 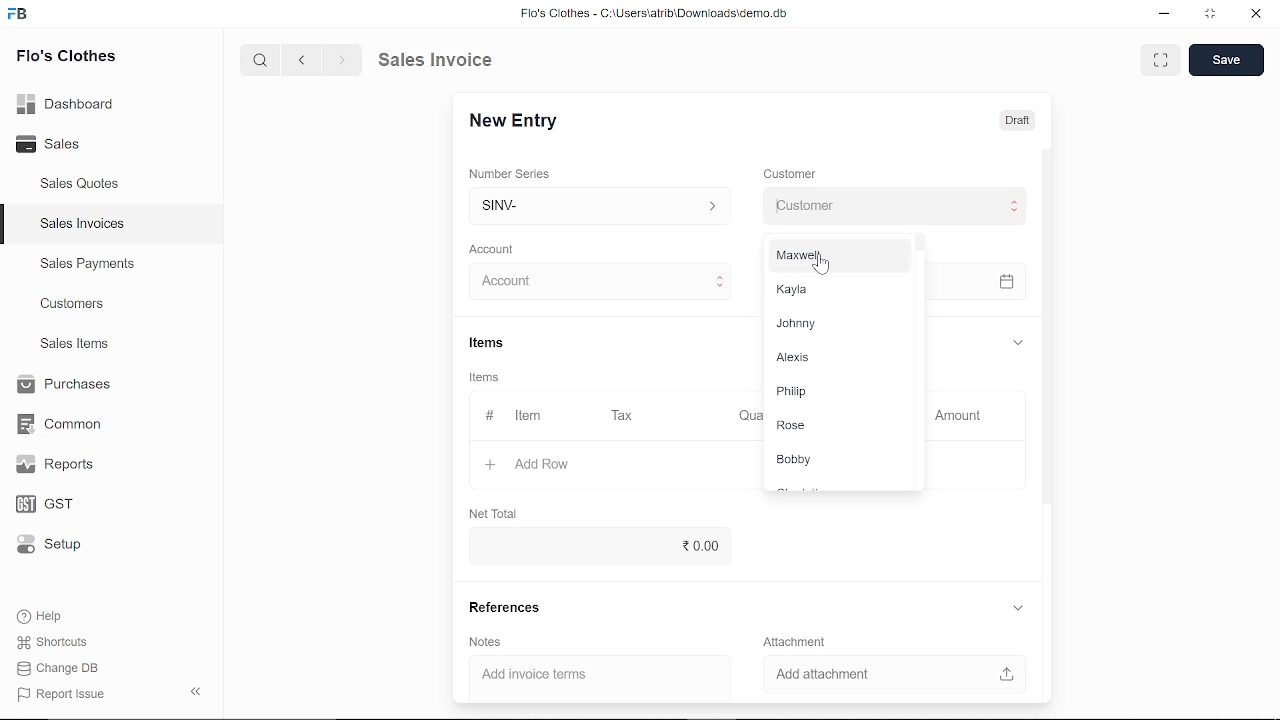 What do you see at coordinates (491, 343) in the screenshot?
I see `Items` at bounding box center [491, 343].